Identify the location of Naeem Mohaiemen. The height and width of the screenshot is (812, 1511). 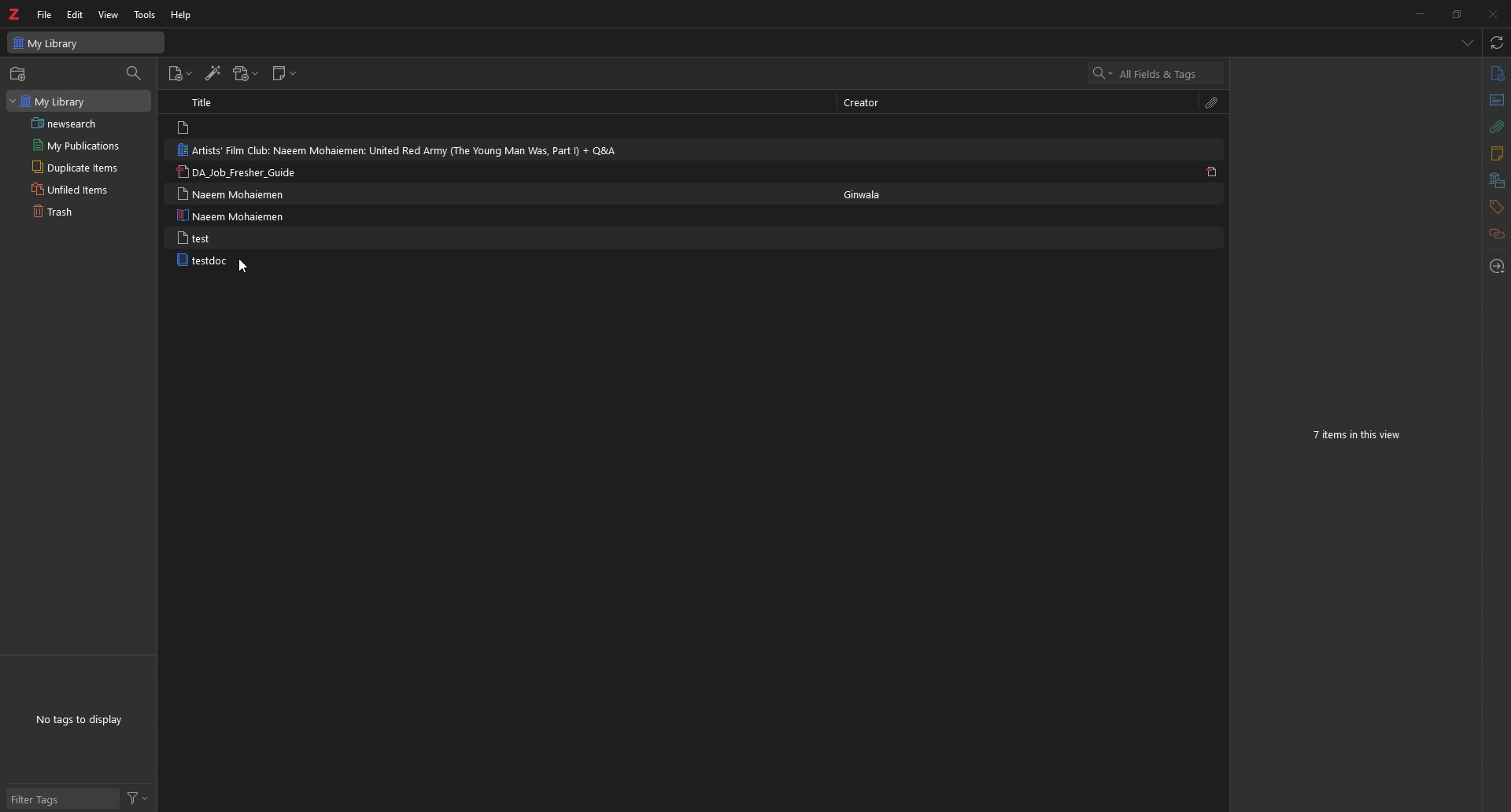
(231, 215).